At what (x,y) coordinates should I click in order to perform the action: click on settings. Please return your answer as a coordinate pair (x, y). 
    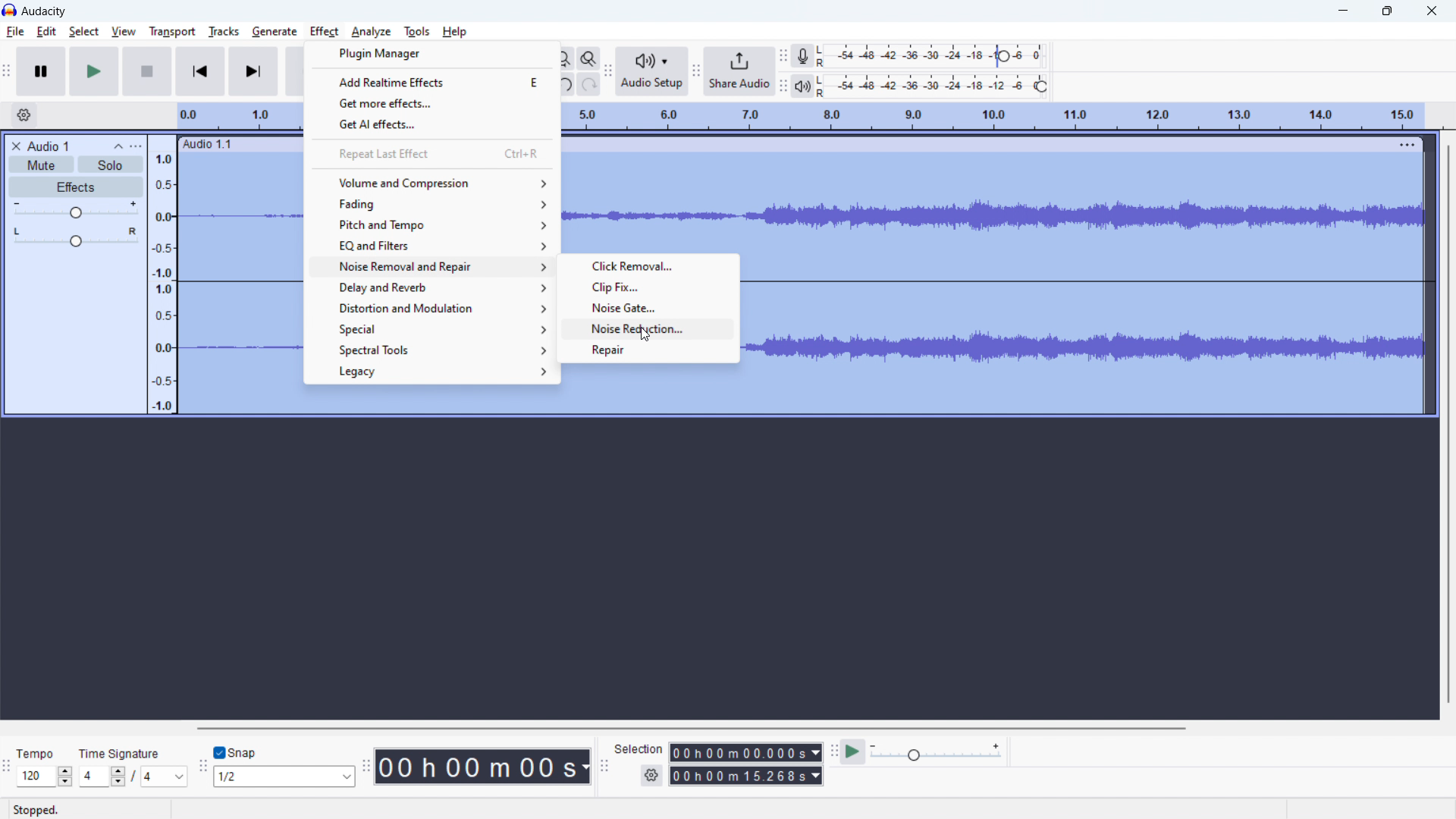
    Looking at the image, I should click on (651, 776).